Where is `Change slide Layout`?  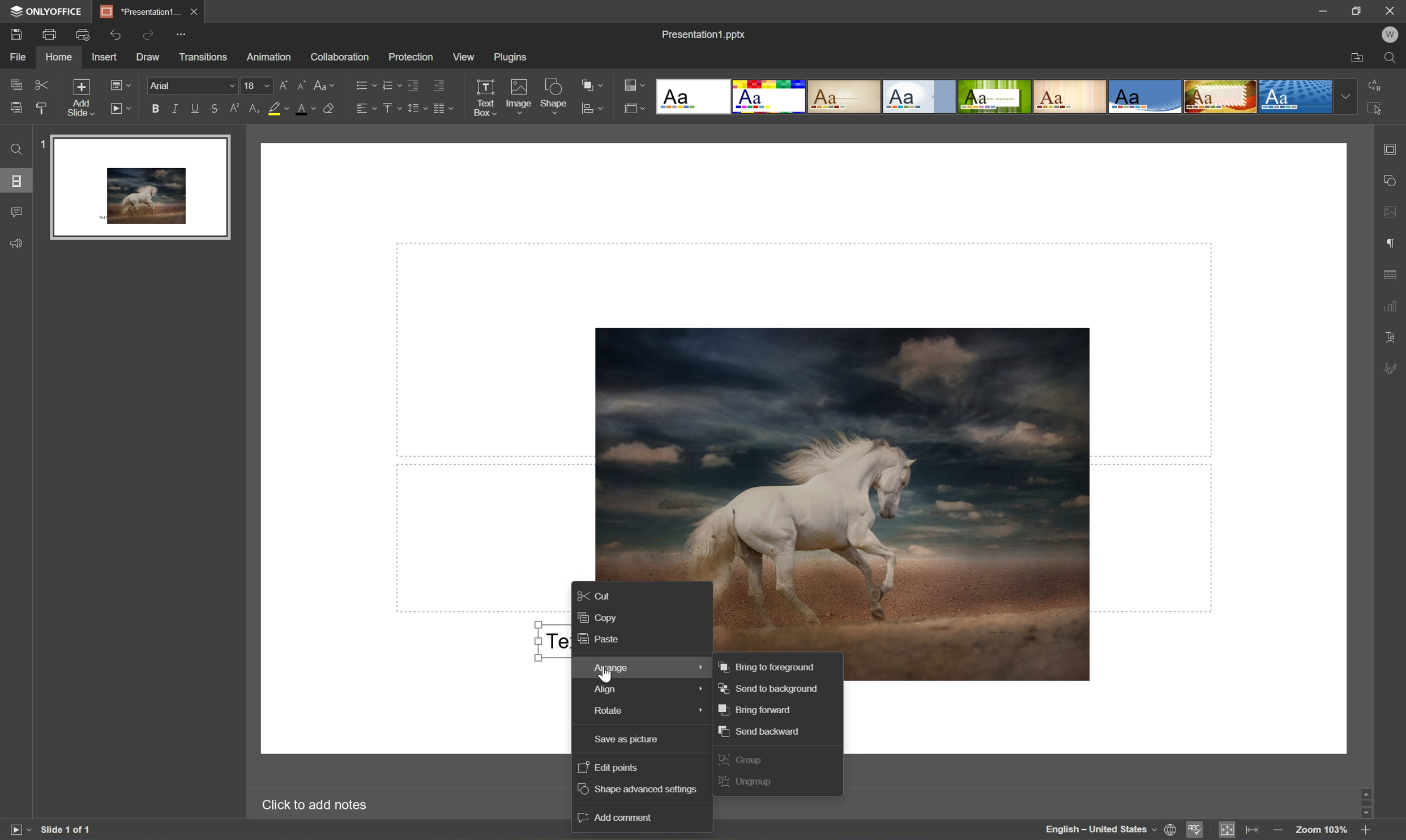
Change slide Layout is located at coordinates (119, 87).